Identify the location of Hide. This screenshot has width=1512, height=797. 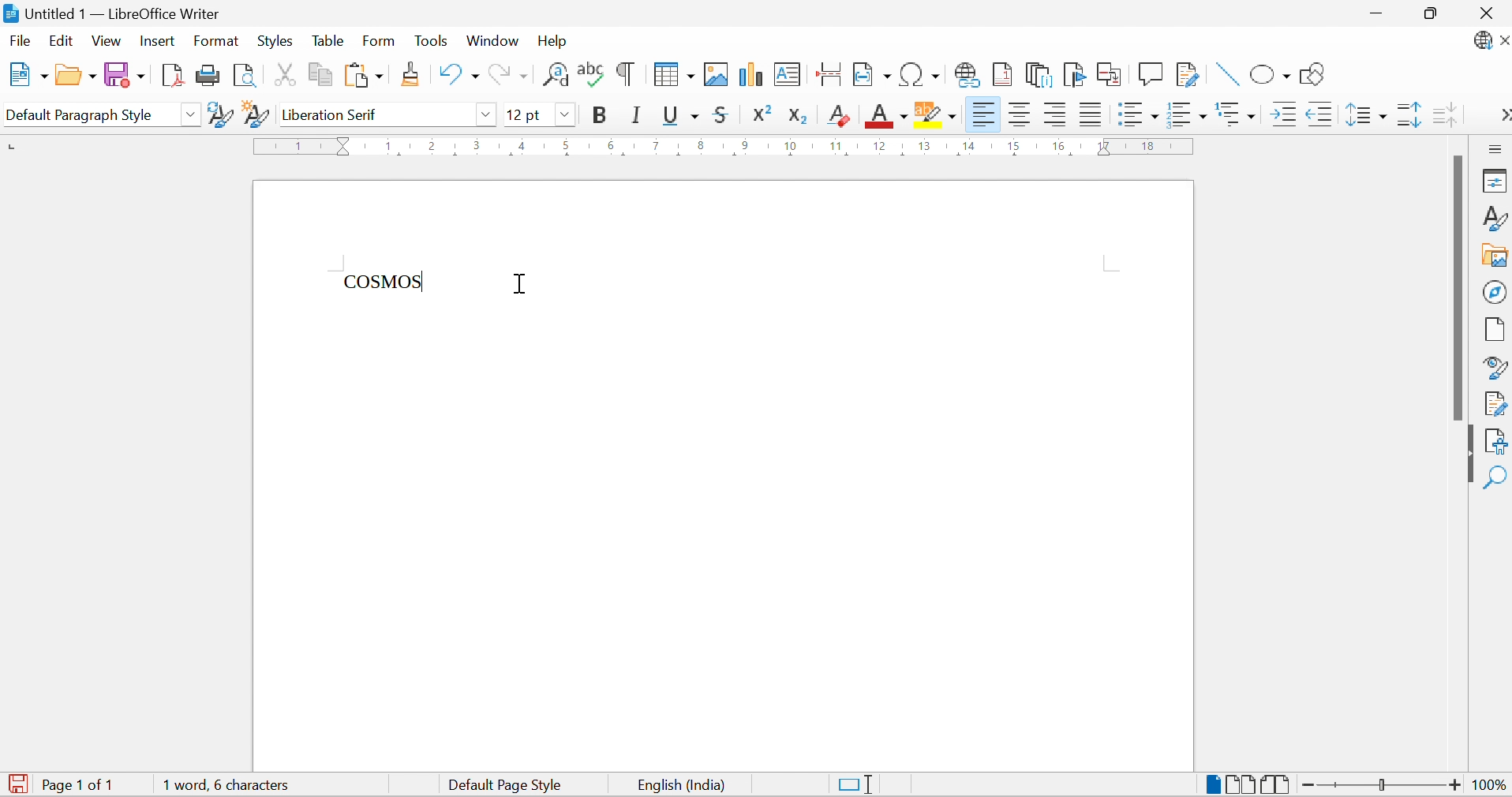
(1467, 454).